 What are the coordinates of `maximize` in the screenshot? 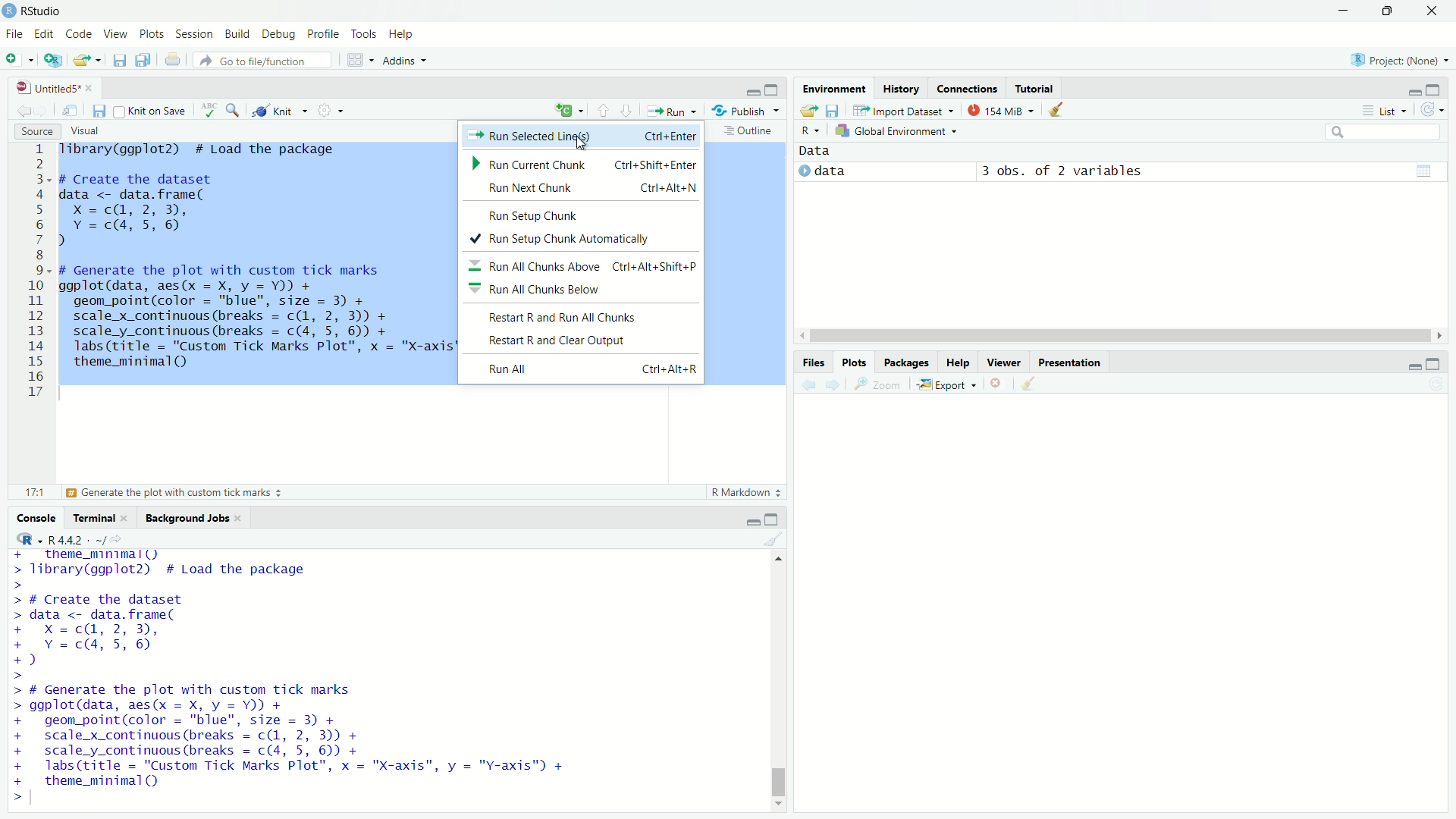 It's located at (1442, 88).